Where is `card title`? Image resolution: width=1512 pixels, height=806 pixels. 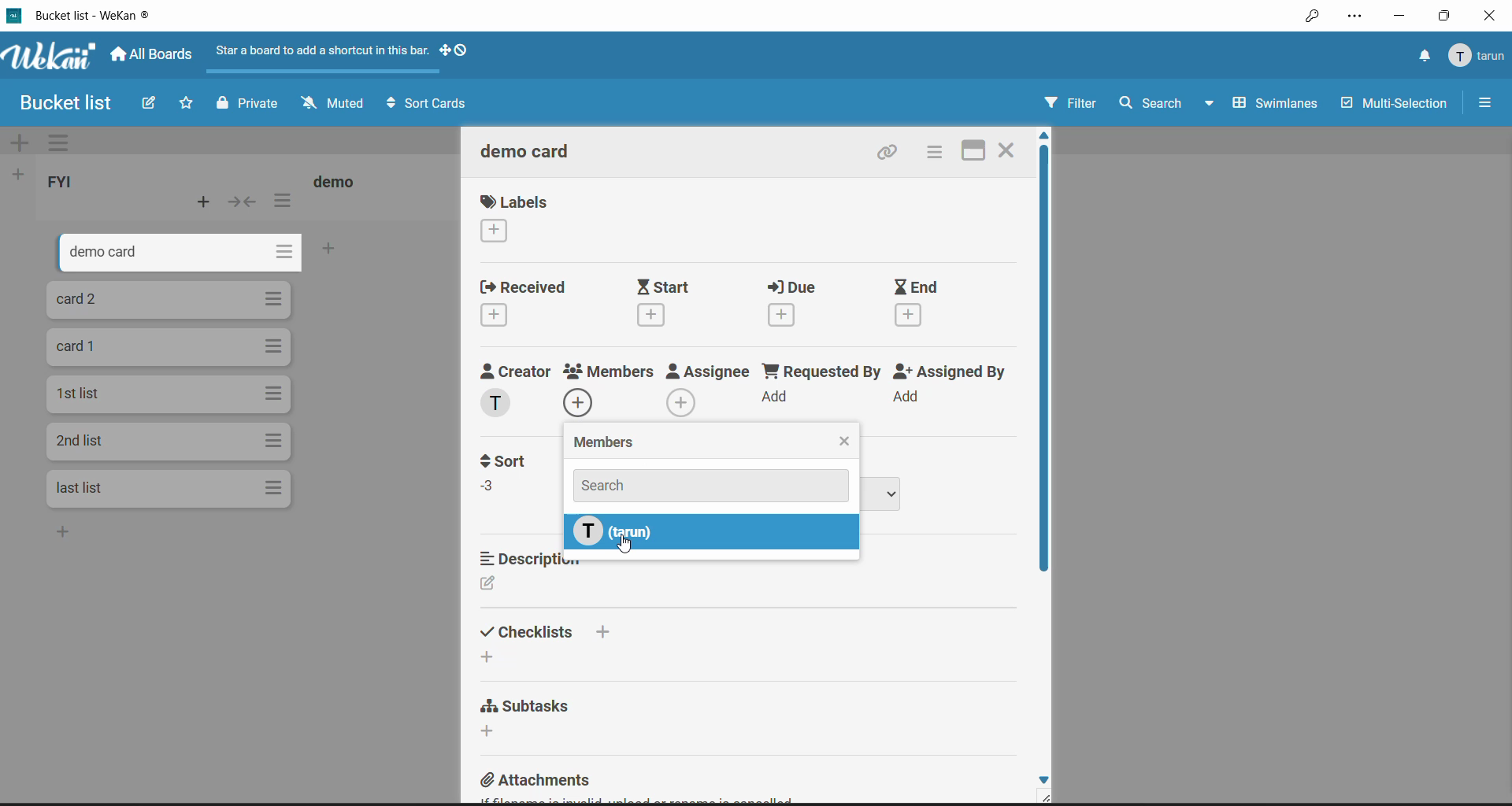 card title is located at coordinates (79, 301).